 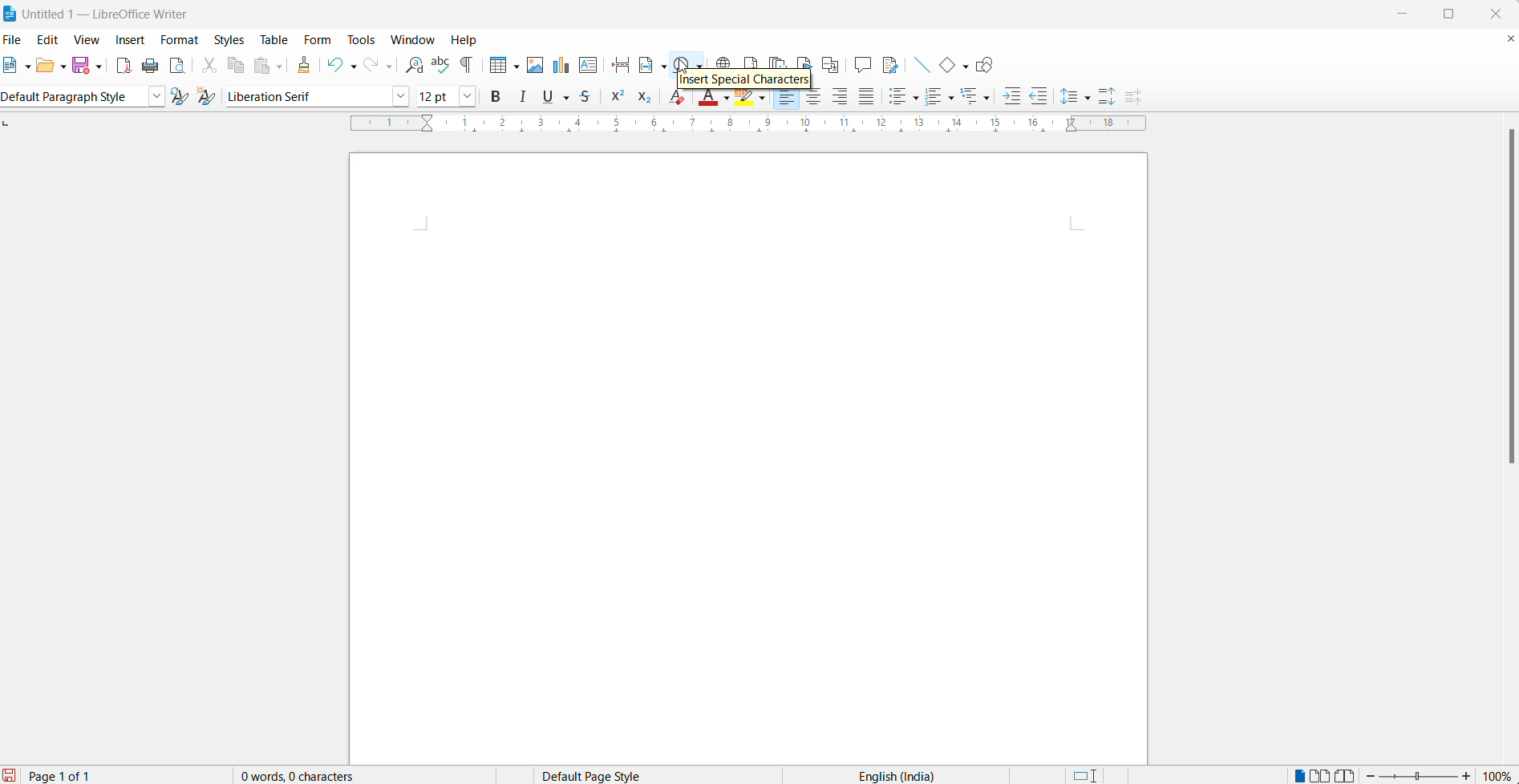 What do you see at coordinates (370, 66) in the screenshot?
I see `redo` at bounding box center [370, 66].